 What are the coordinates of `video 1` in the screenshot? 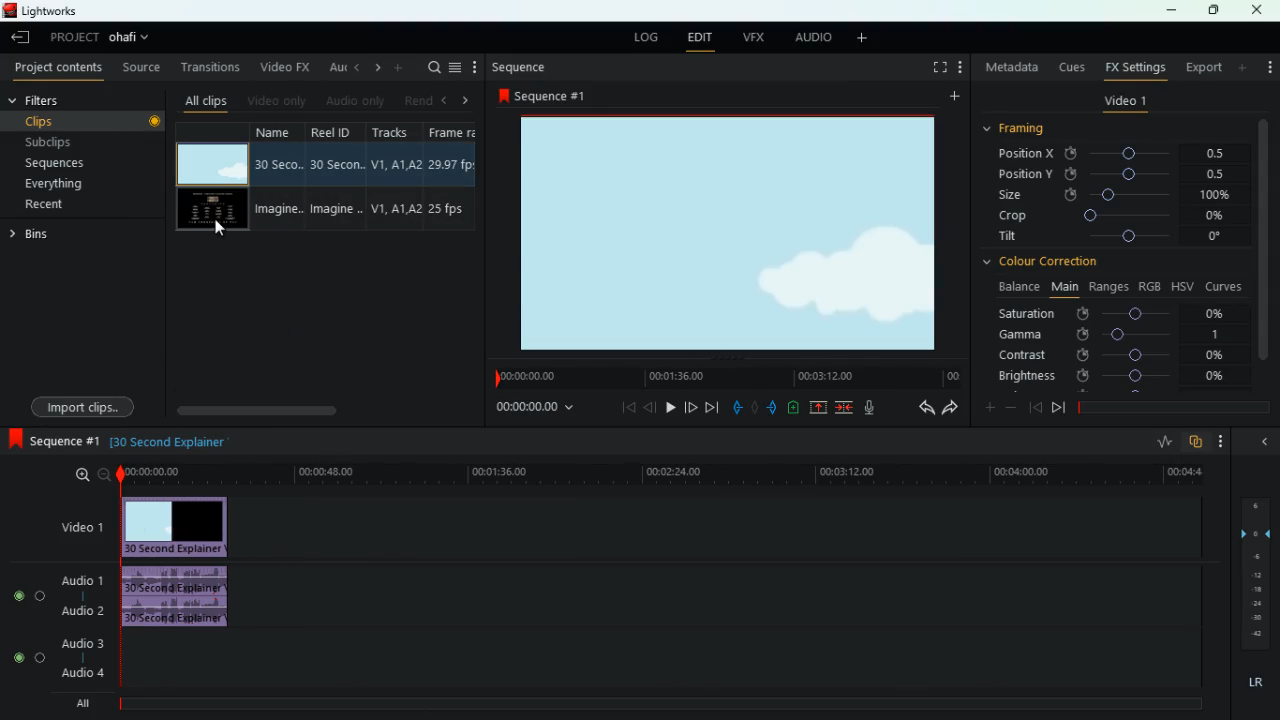 It's located at (1125, 104).